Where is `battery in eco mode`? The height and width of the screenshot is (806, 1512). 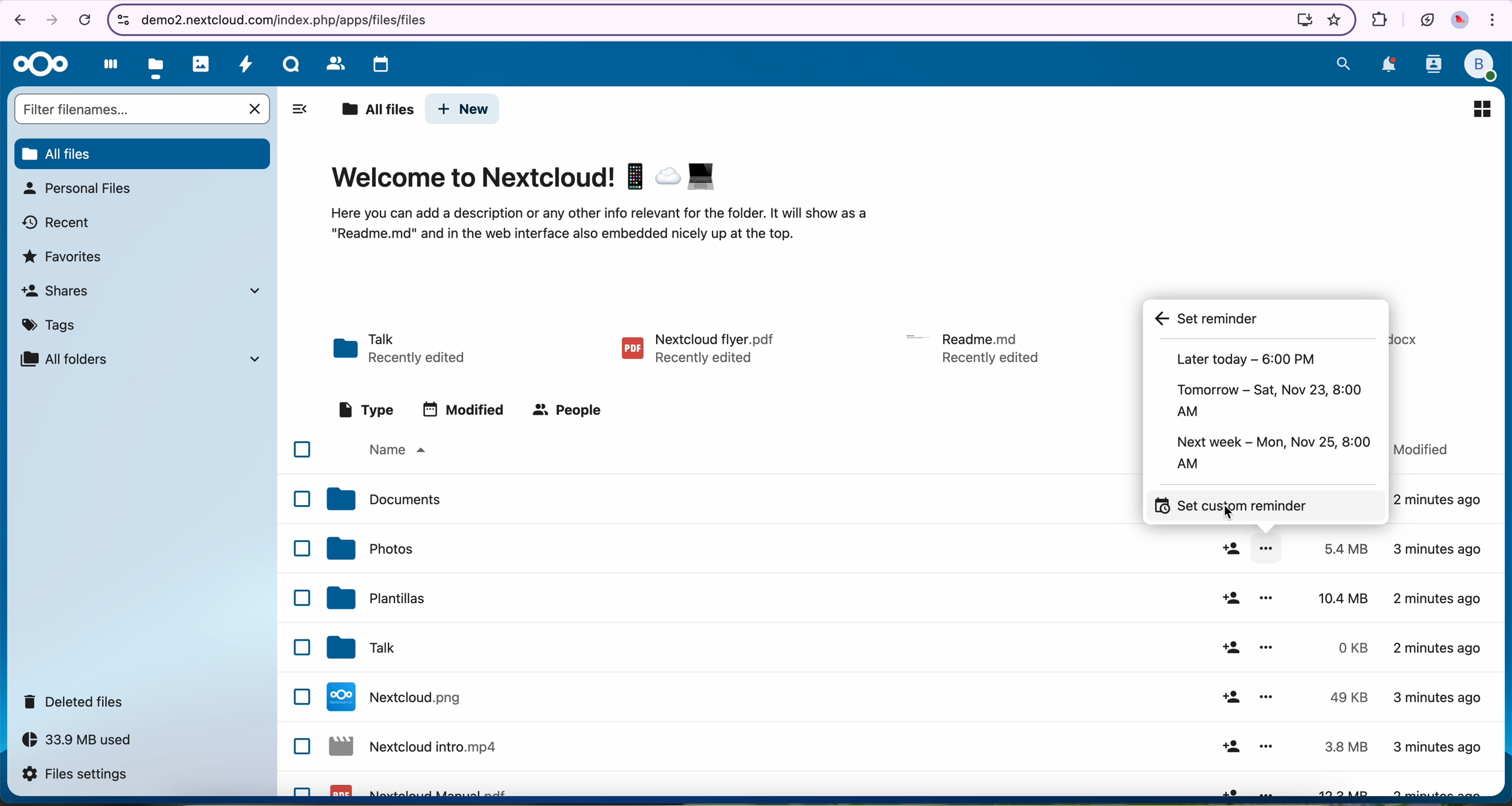
battery in eco mode is located at coordinates (1426, 18).